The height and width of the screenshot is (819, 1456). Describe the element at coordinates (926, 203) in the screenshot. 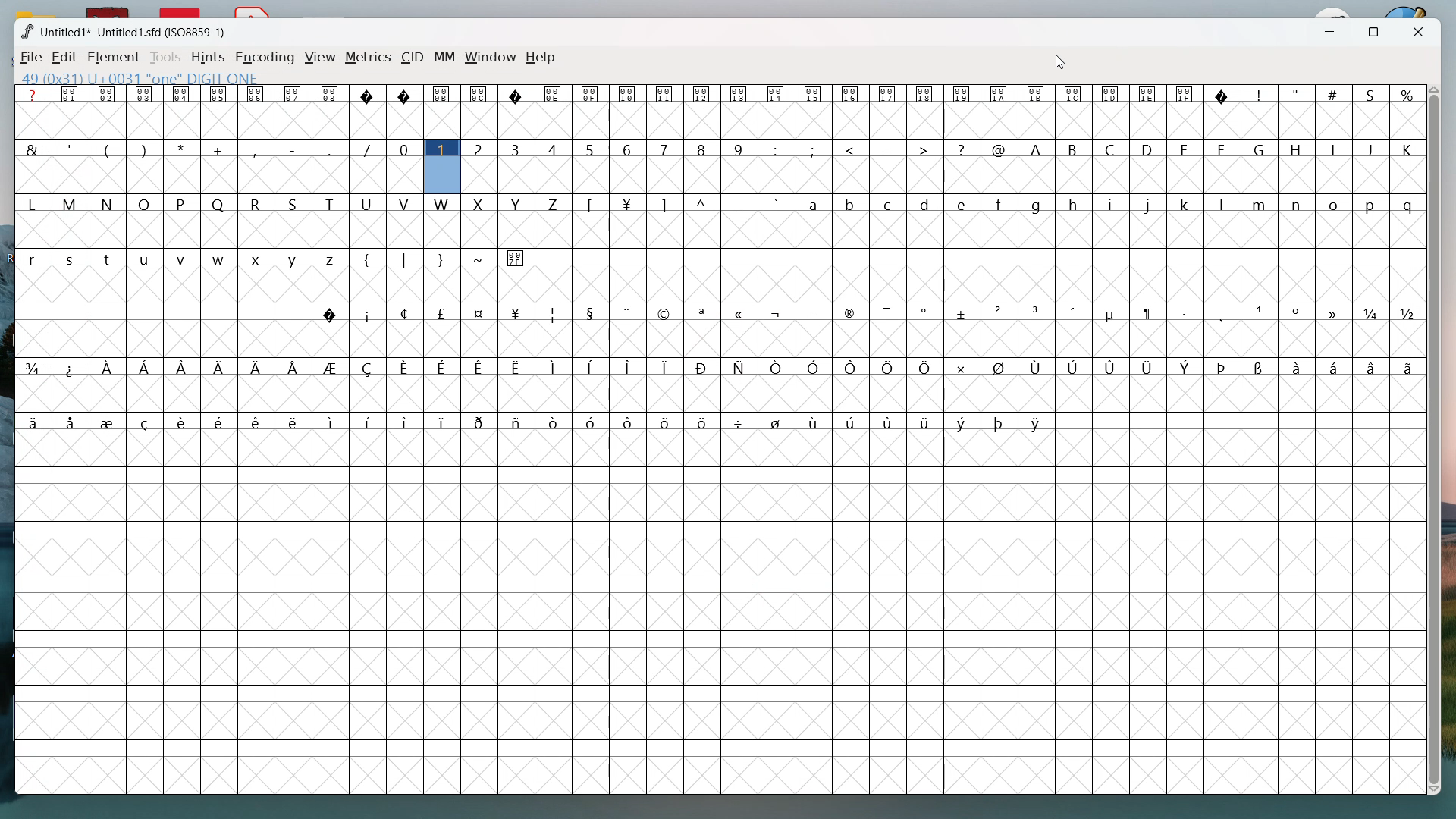

I see `d` at that location.